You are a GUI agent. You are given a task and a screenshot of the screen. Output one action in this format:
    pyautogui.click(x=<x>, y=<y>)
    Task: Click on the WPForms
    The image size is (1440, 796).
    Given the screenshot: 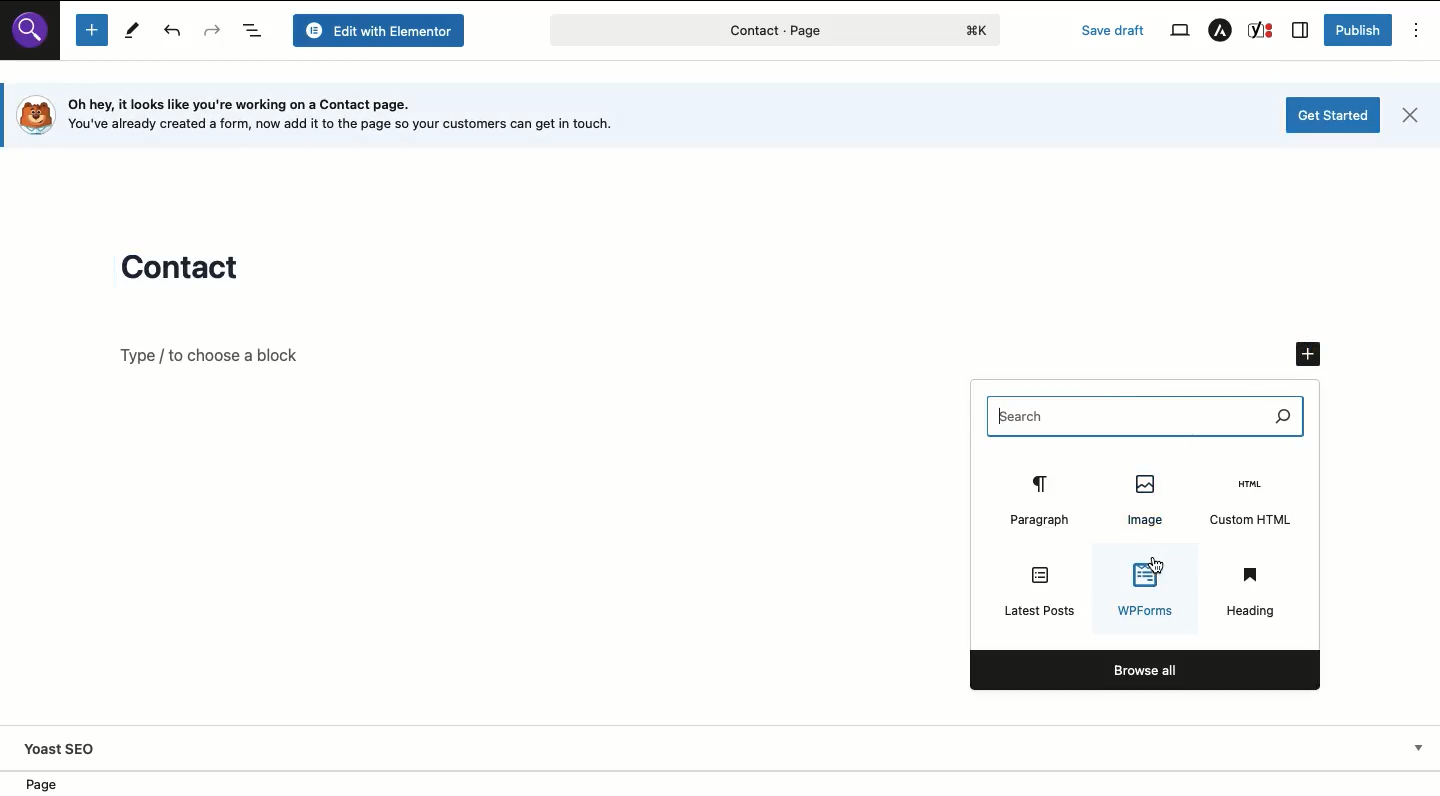 What is the action you would take?
    pyautogui.click(x=1142, y=592)
    